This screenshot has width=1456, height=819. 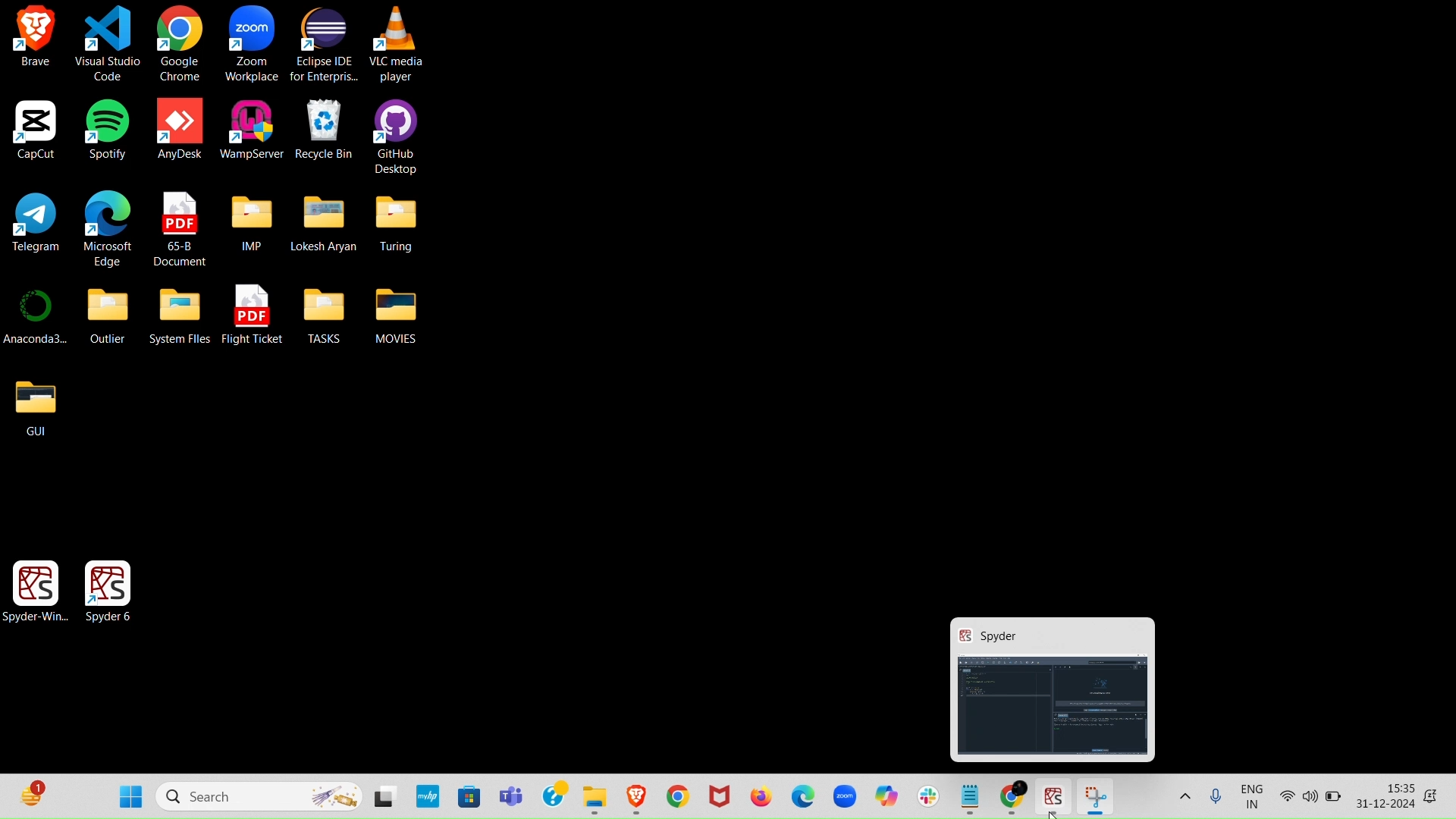 What do you see at coordinates (32, 36) in the screenshot?
I see `Brave` at bounding box center [32, 36].